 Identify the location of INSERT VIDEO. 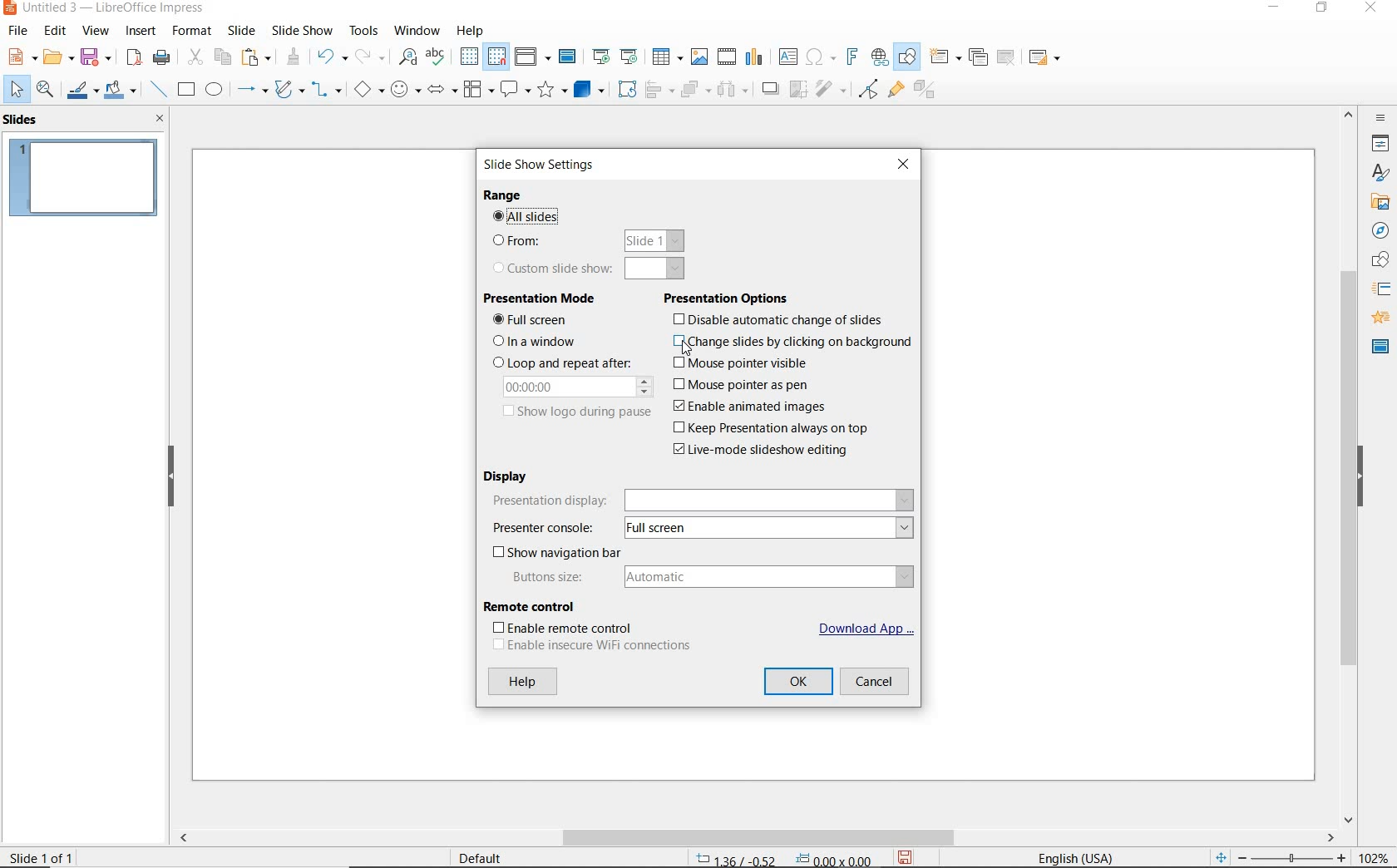
(727, 57).